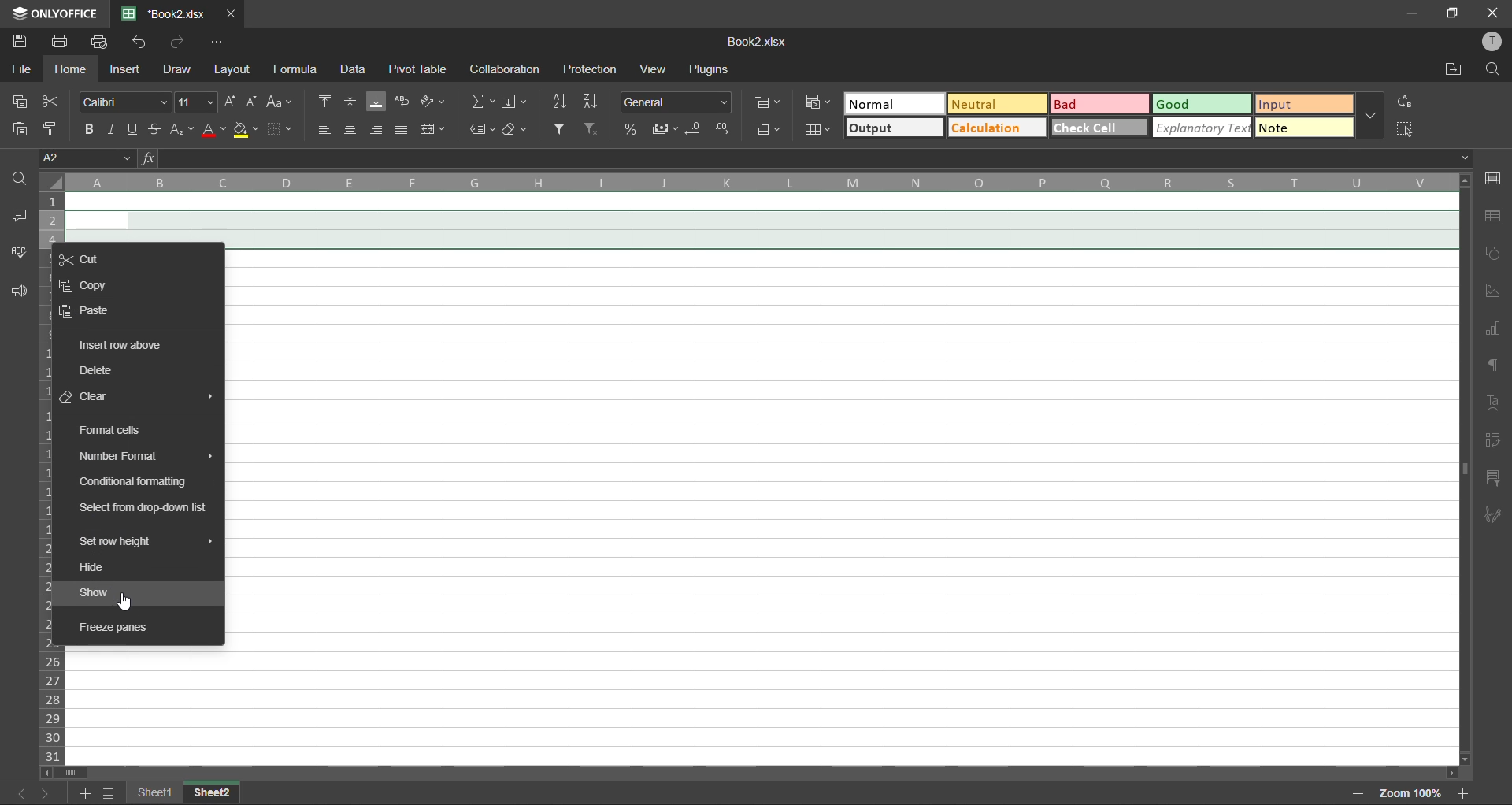 Image resolution: width=1512 pixels, height=805 pixels. I want to click on zoom factor, so click(1410, 793).